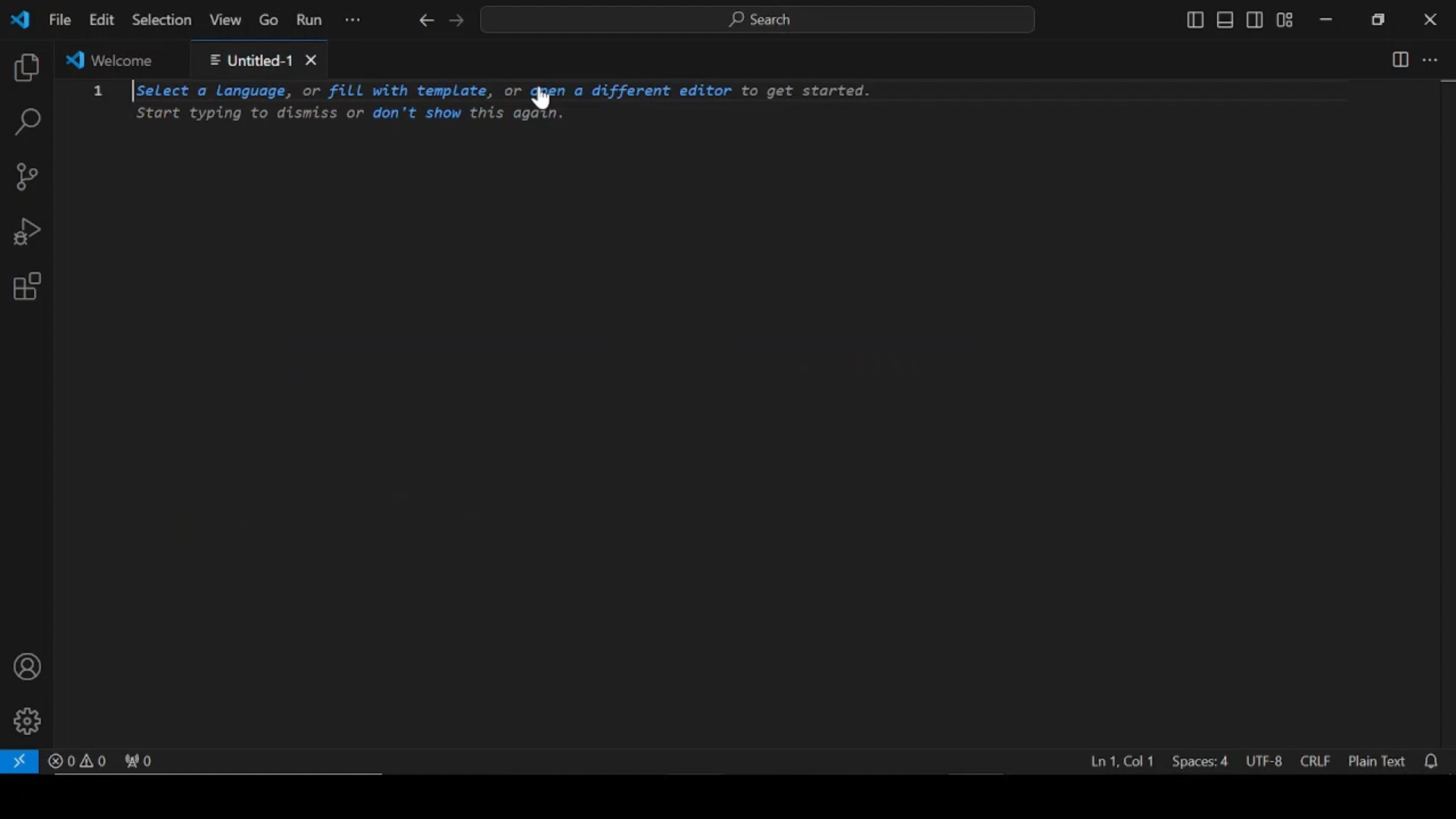  Describe the element at coordinates (1226, 20) in the screenshot. I see `toggle panel` at that location.